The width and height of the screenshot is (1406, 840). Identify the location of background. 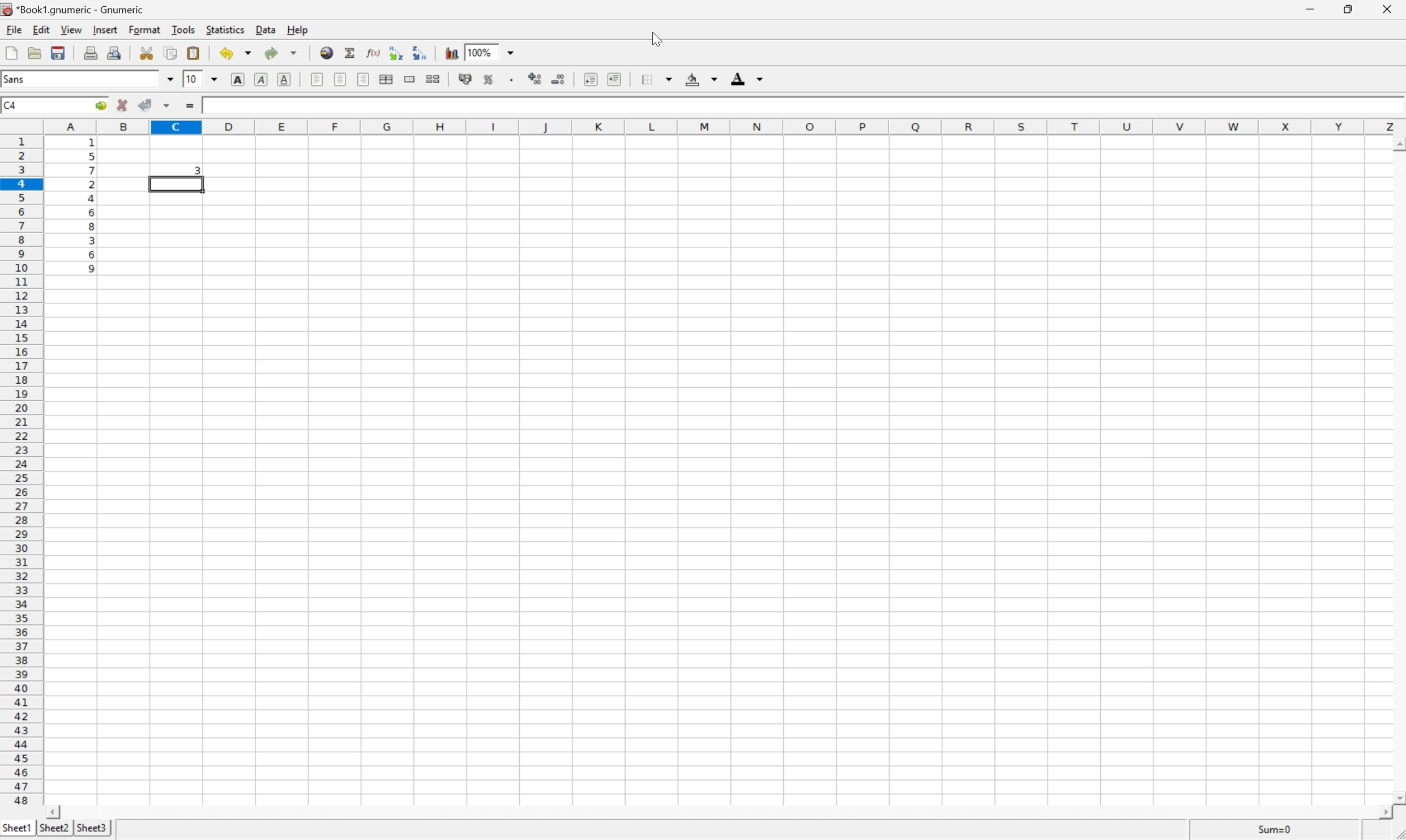
(700, 79).